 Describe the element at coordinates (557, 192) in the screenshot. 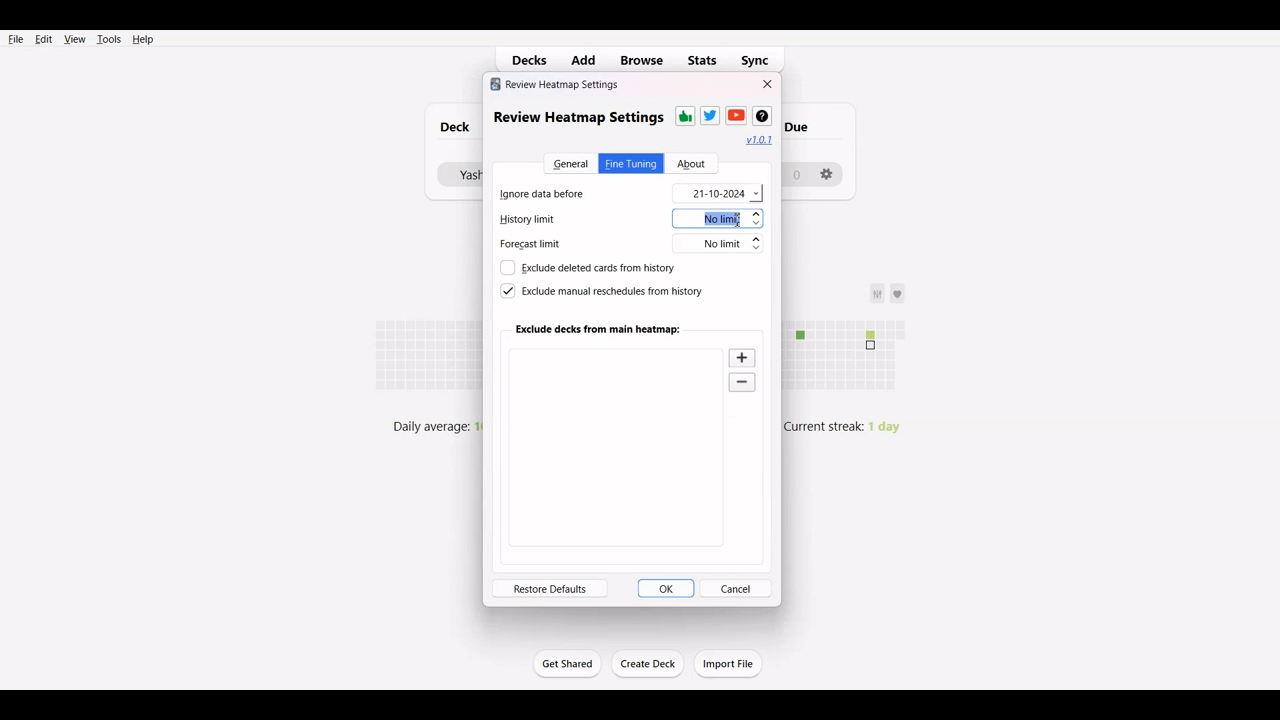

I see `Ignore data before` at that location.